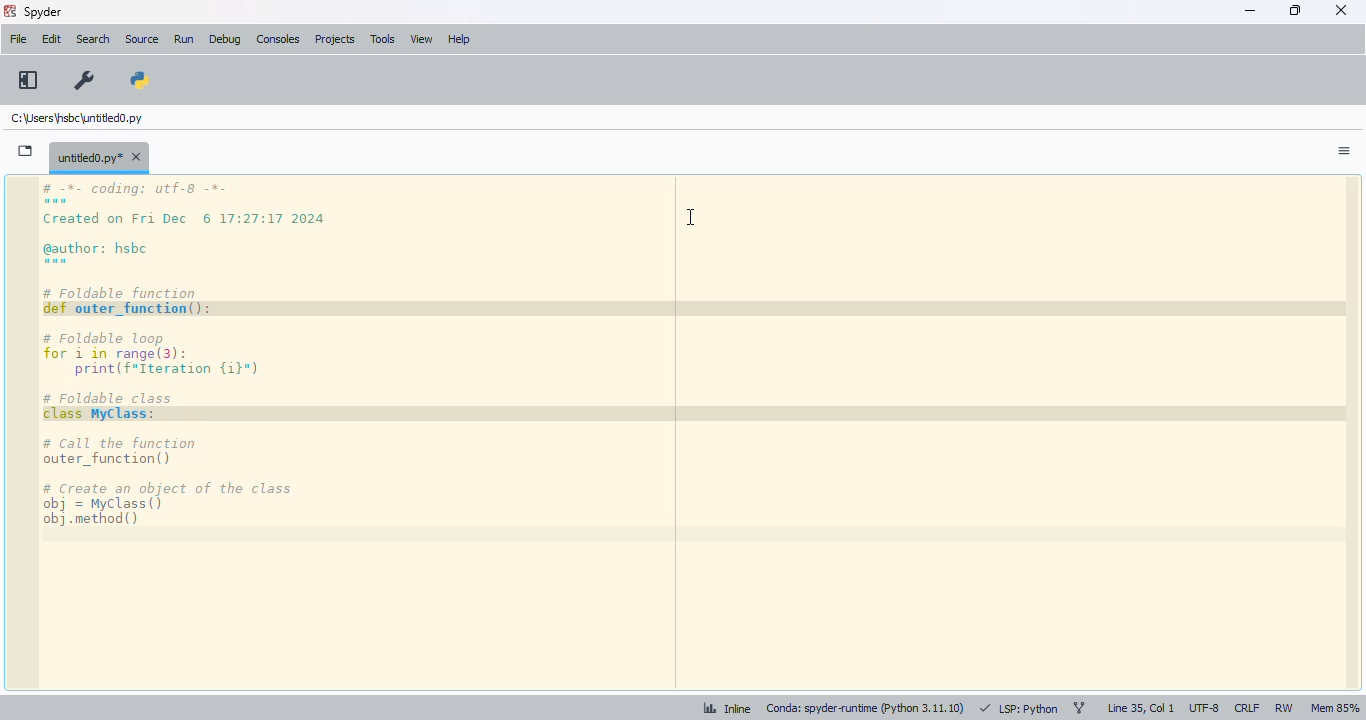 The height and width of the screenshot is (720, 1366). What do you see at coordinates (1250, 10) in the screenshot?
I see `minimize` at bounding box center [1250, 10].